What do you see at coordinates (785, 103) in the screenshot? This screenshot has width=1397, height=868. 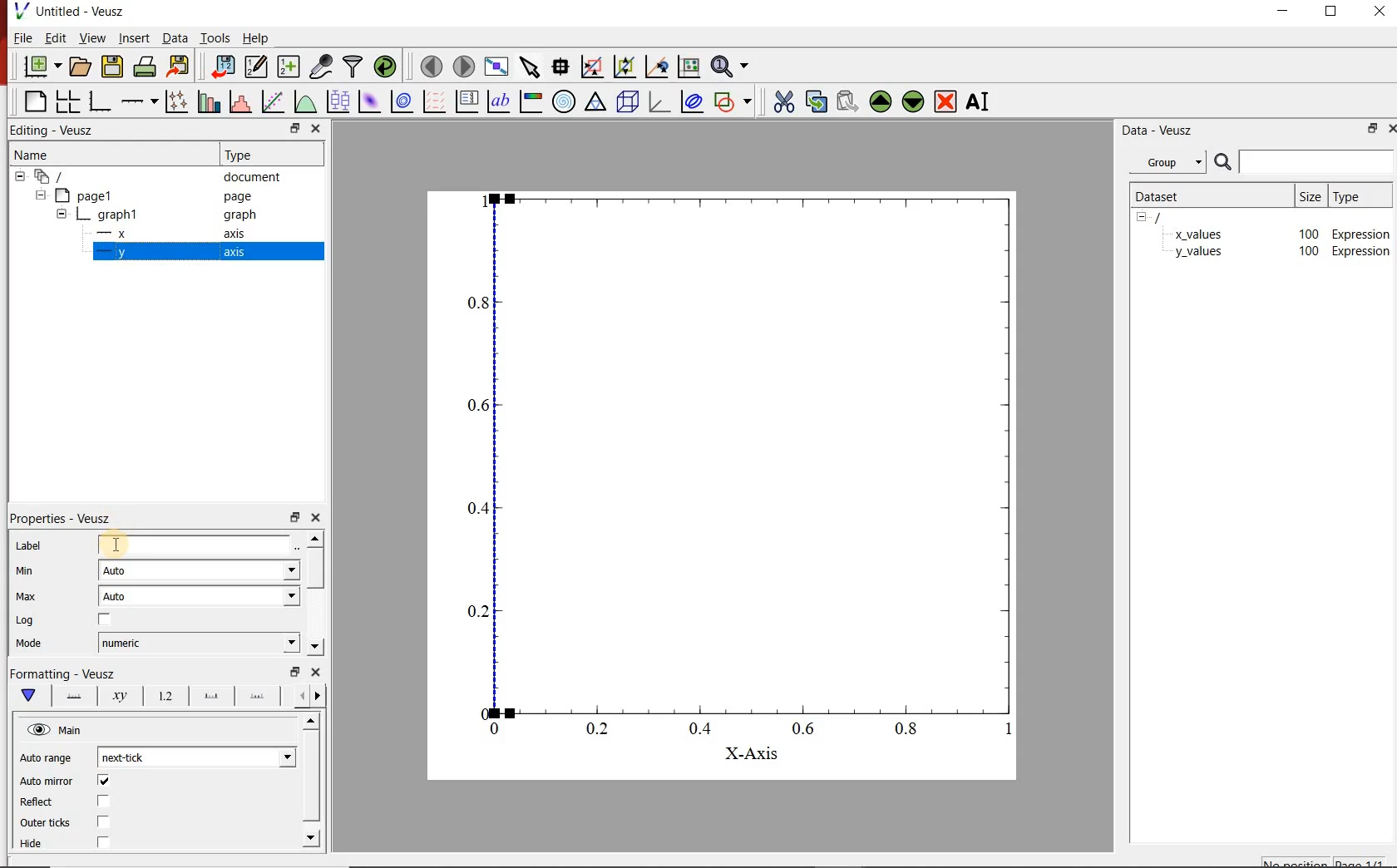 I see `cut the selected widget` at bounding box center [785, 103].